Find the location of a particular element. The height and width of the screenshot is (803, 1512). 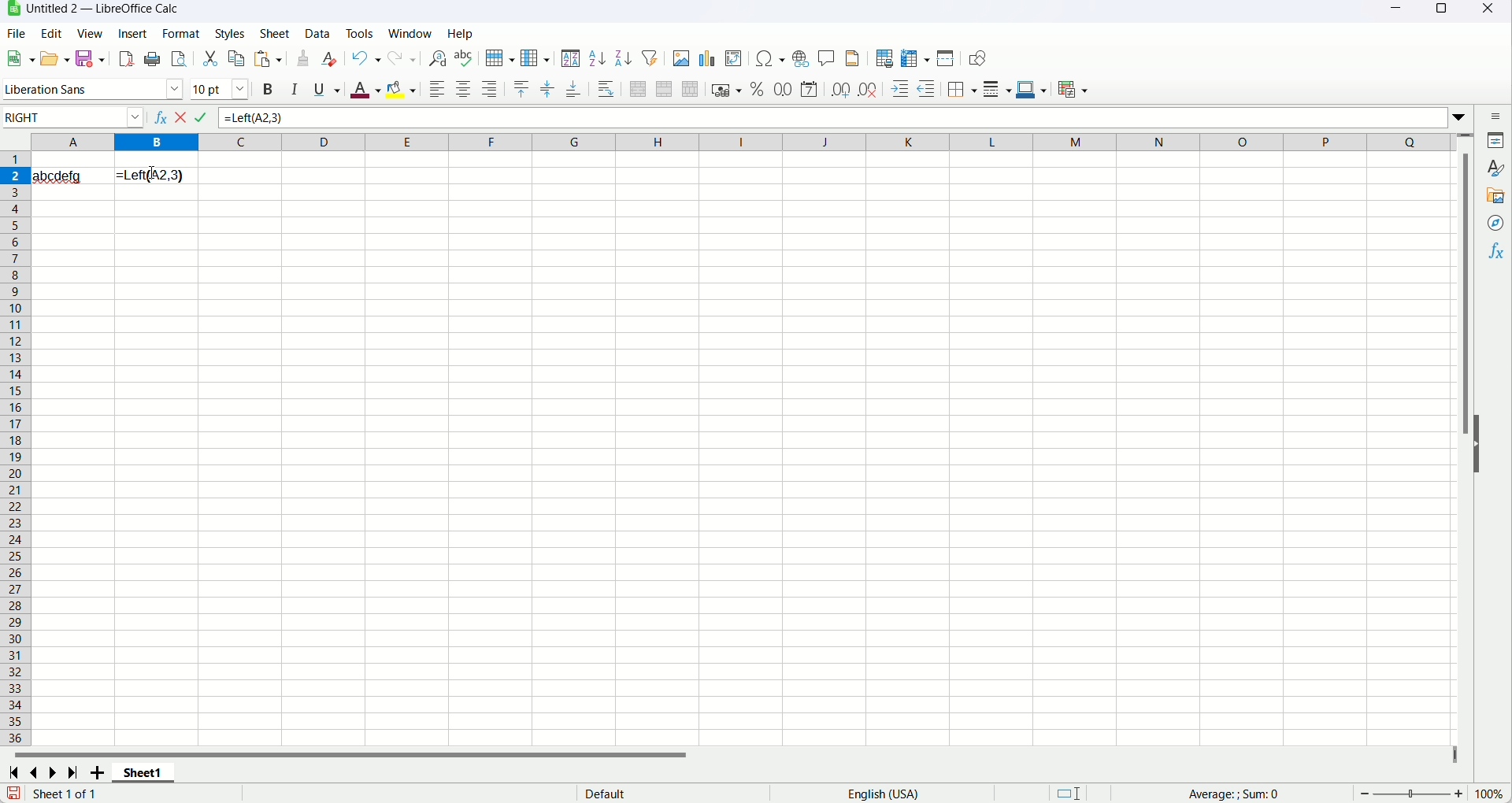

hide is located at coordinates (1477, 444).